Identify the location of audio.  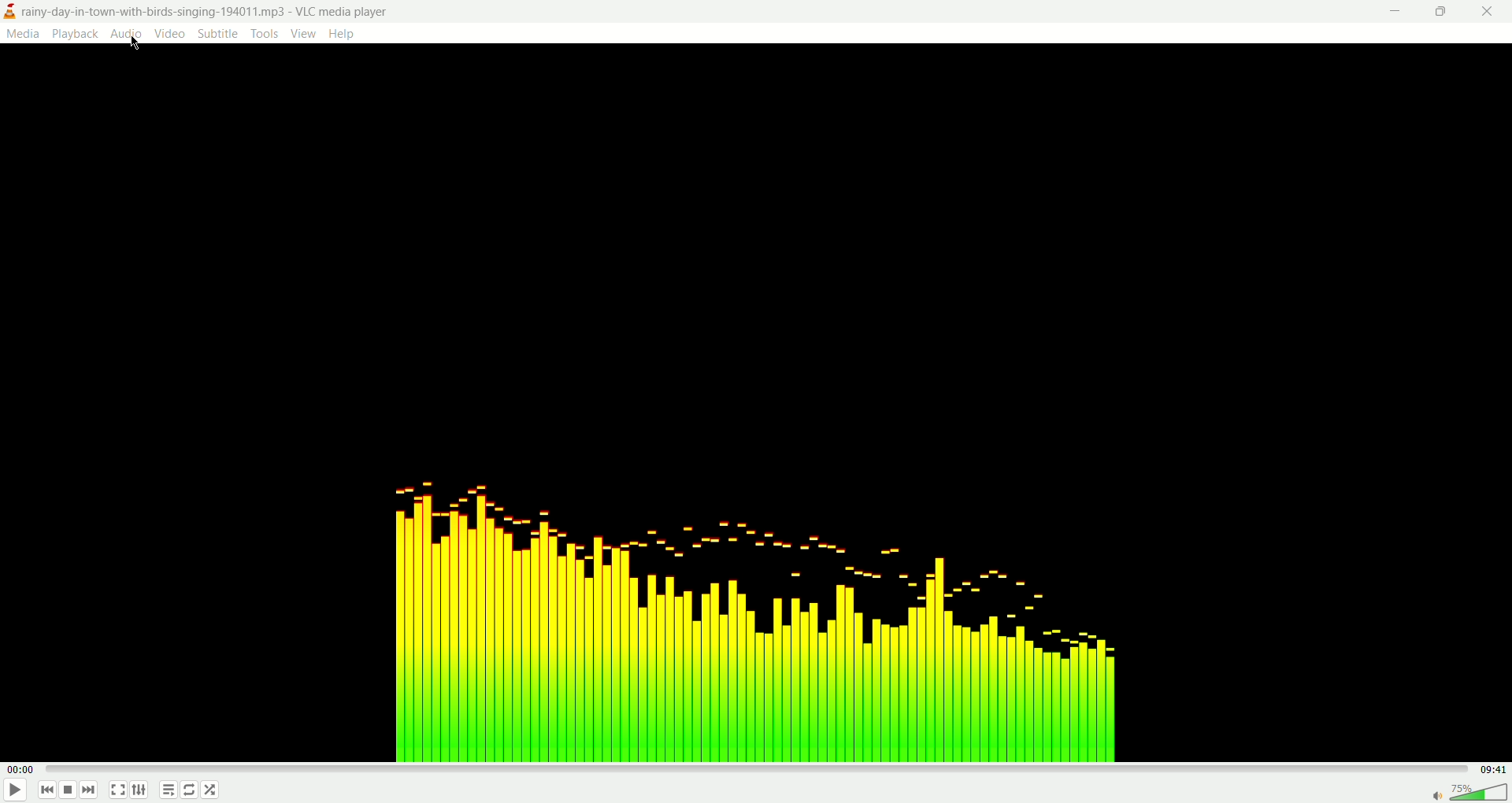
(128, 34).